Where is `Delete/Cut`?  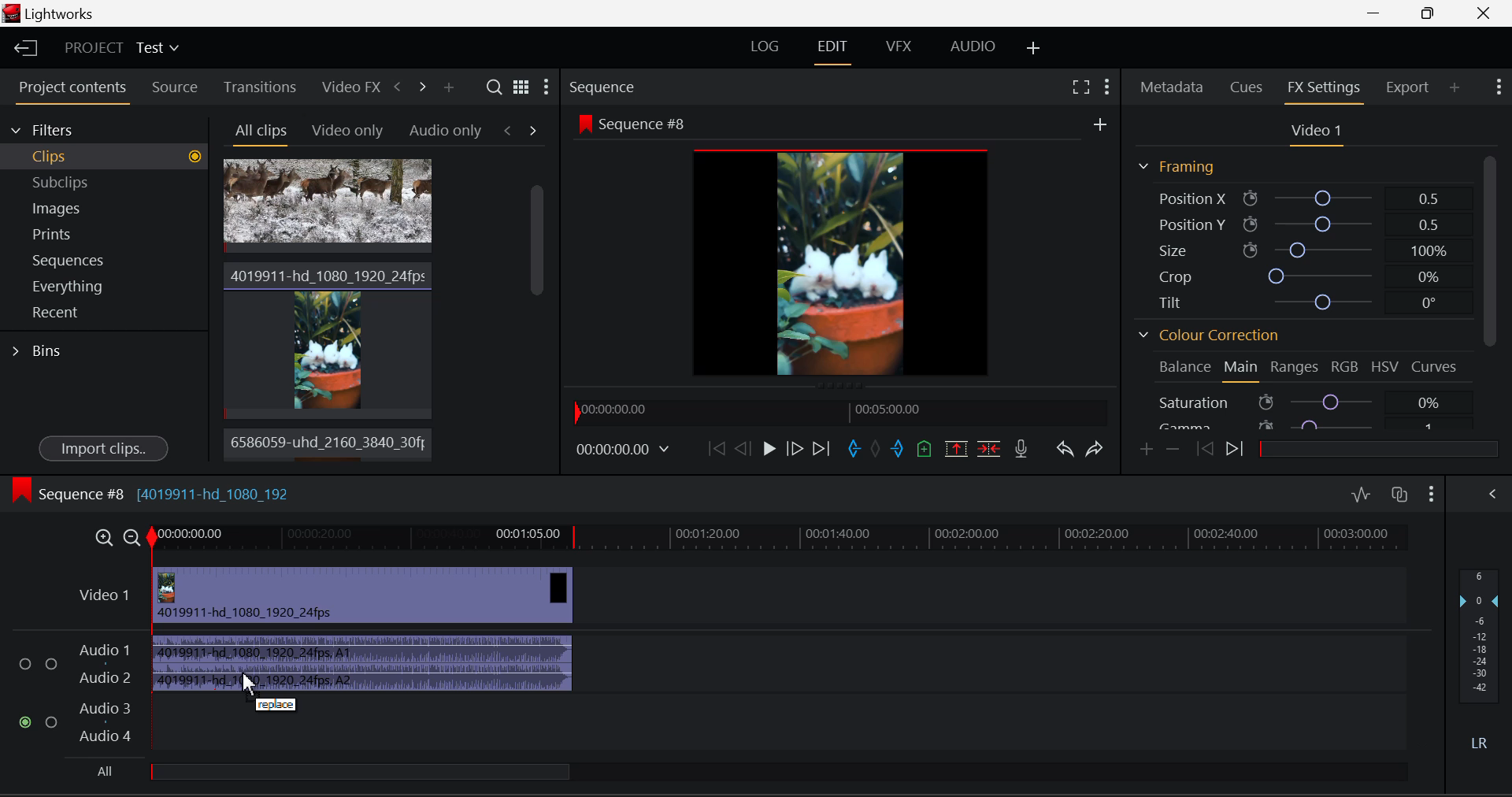 Delete/Cut is located at coordinates (989, 448).